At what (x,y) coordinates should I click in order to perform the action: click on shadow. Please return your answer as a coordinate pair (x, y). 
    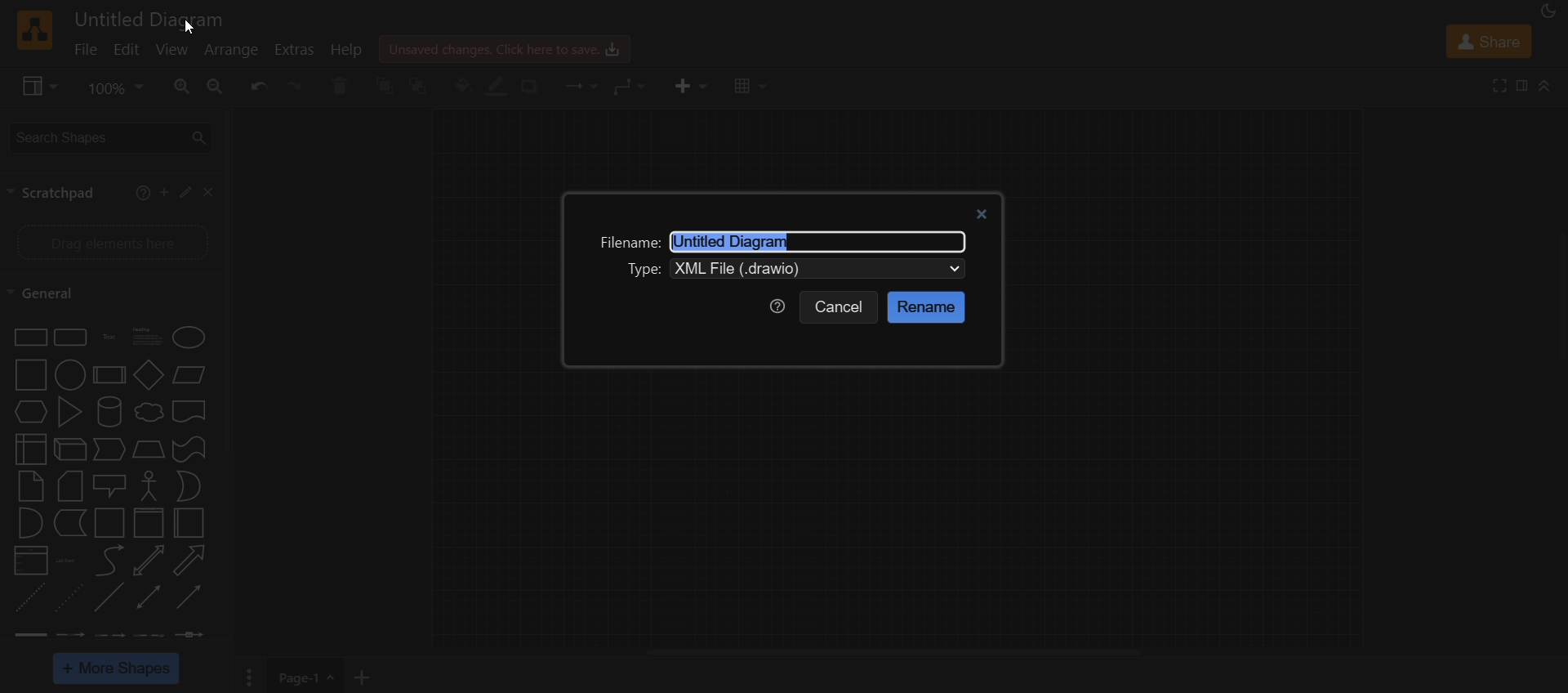
    Looking at the image, I should click on (535, 87).